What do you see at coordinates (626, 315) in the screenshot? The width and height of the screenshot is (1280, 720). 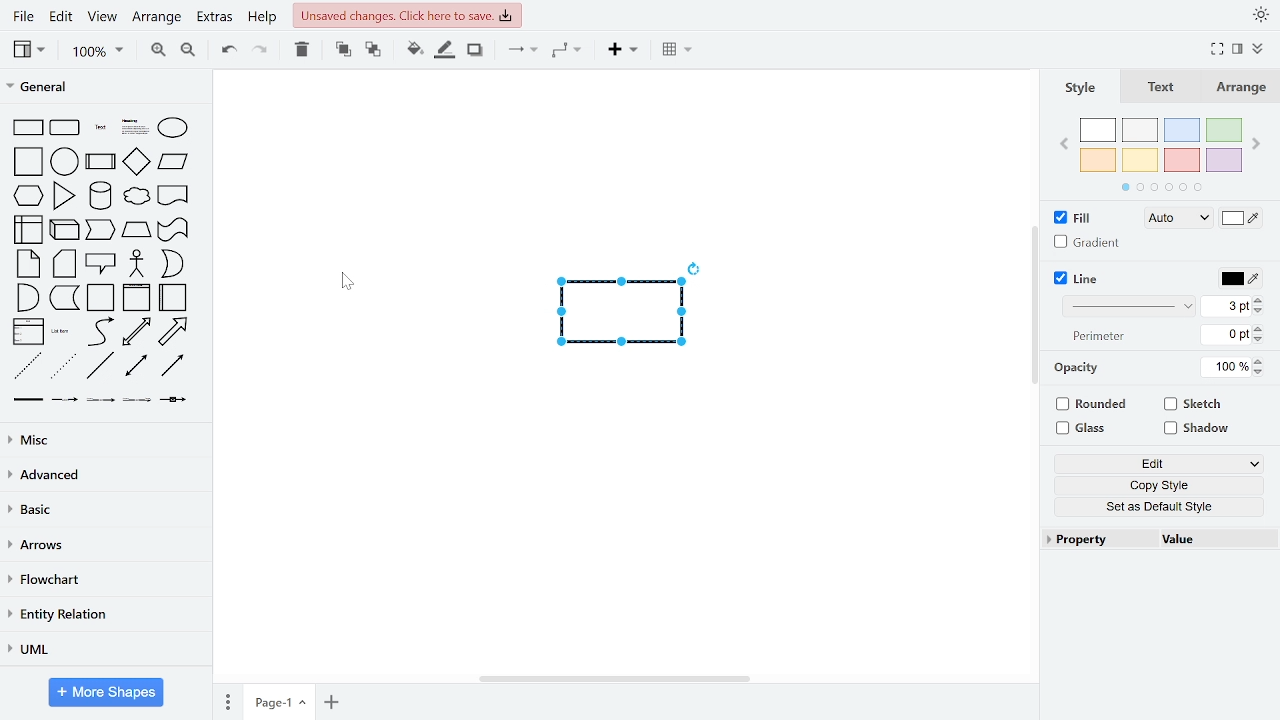 I see `Shape border thickness increased` at bounding box center [626, 315].